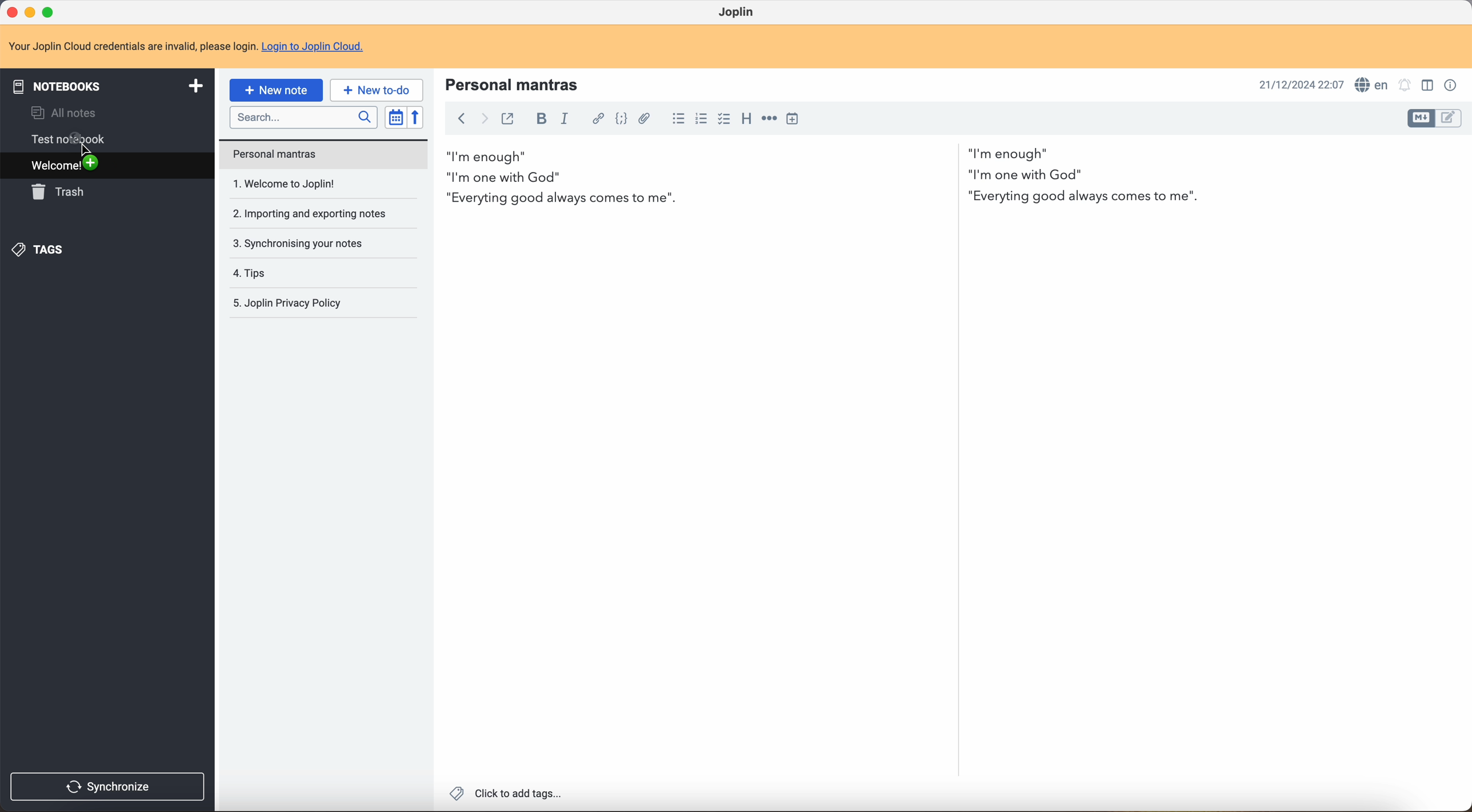  Describe the element at coordinates (82, 149) in the screenshot. I see `cursor` at that location.